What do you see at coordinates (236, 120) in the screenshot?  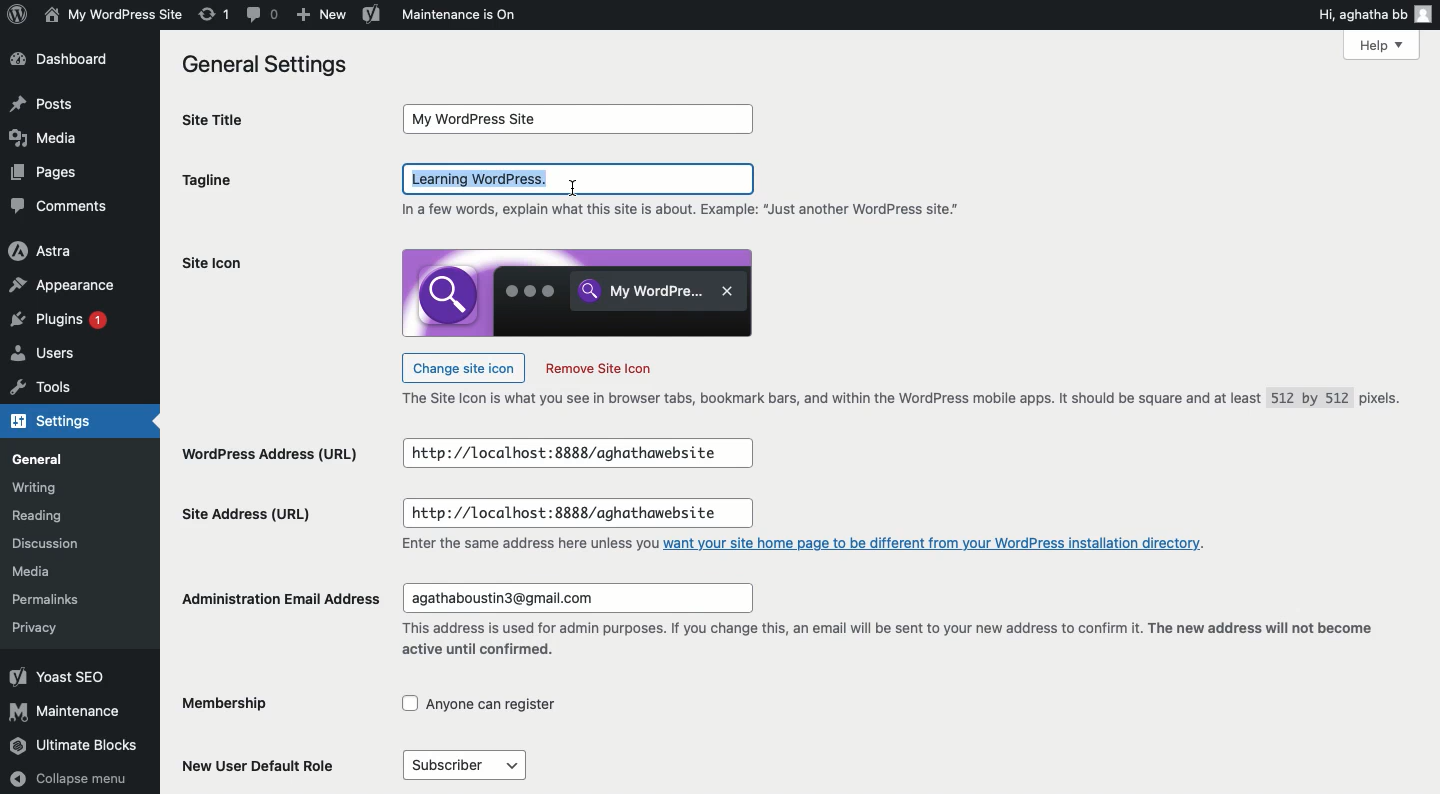 I see `Site title` at bounding box center [236, 120].